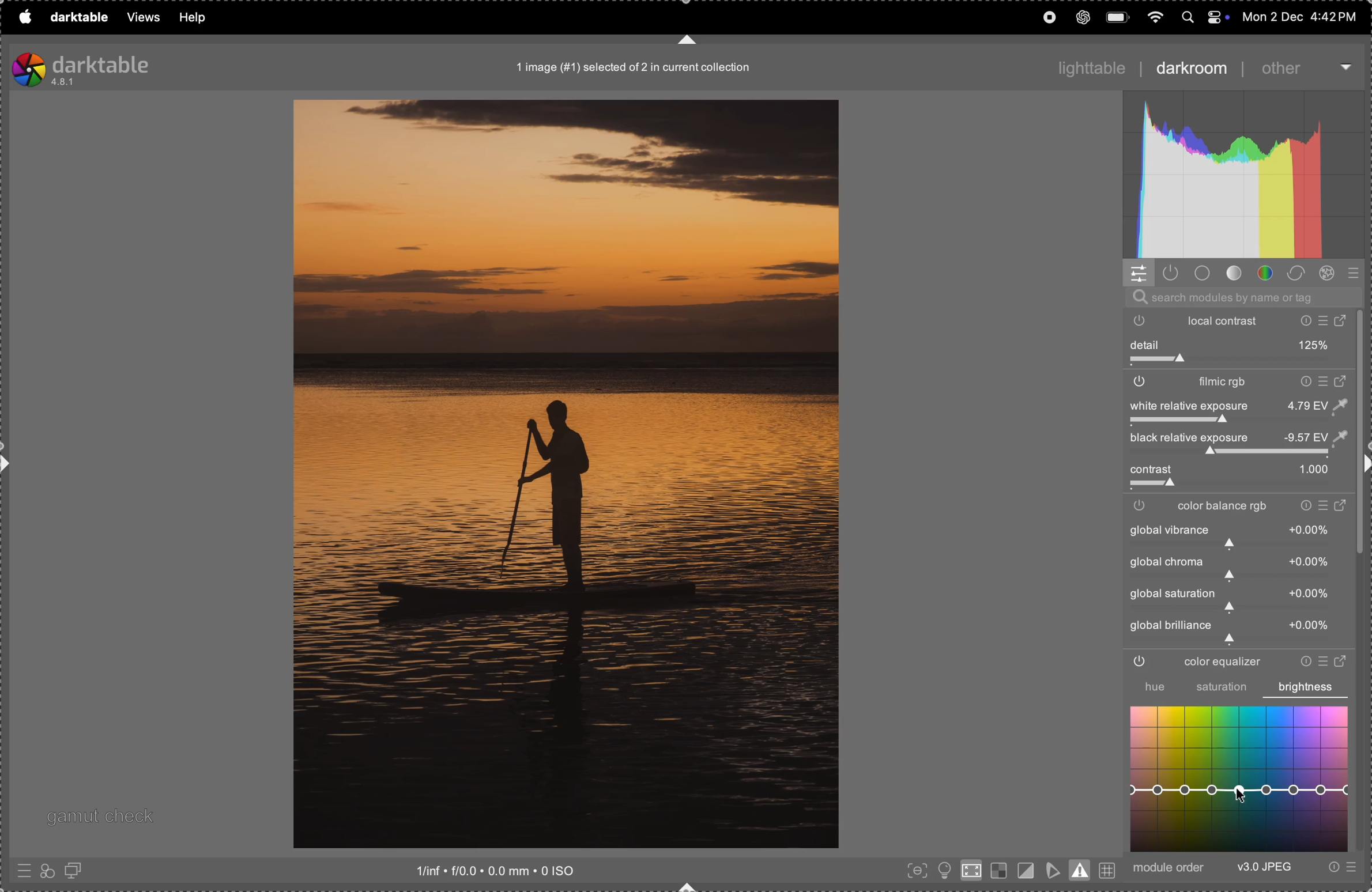 The image size is (1372, 892). What do you see at coordinates (566, 474) in the screenshot?
I see `image` at bounding box center [566, 474].